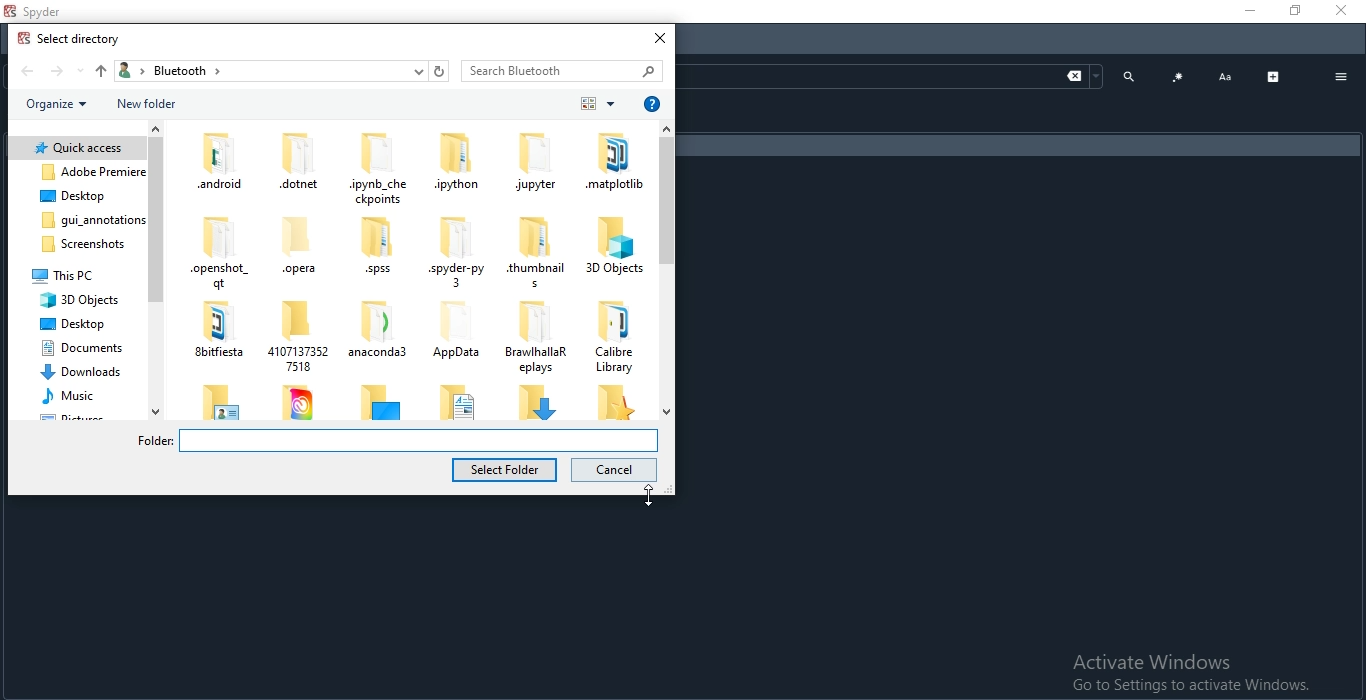  I want to click on folder, so click(296, 334).